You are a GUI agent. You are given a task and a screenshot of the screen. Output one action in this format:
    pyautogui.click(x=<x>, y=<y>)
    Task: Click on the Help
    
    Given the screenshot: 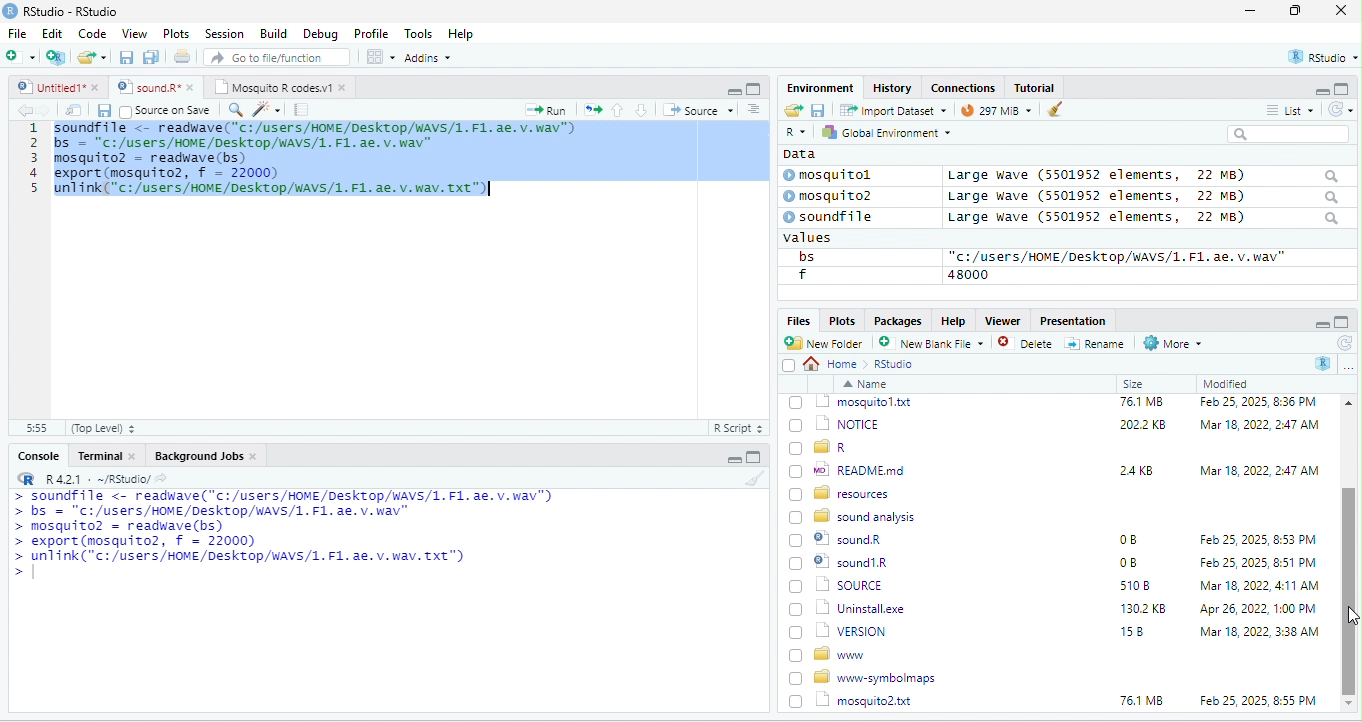 What is the action you would take?
    pyautogui.click(x=953, y=319)
    